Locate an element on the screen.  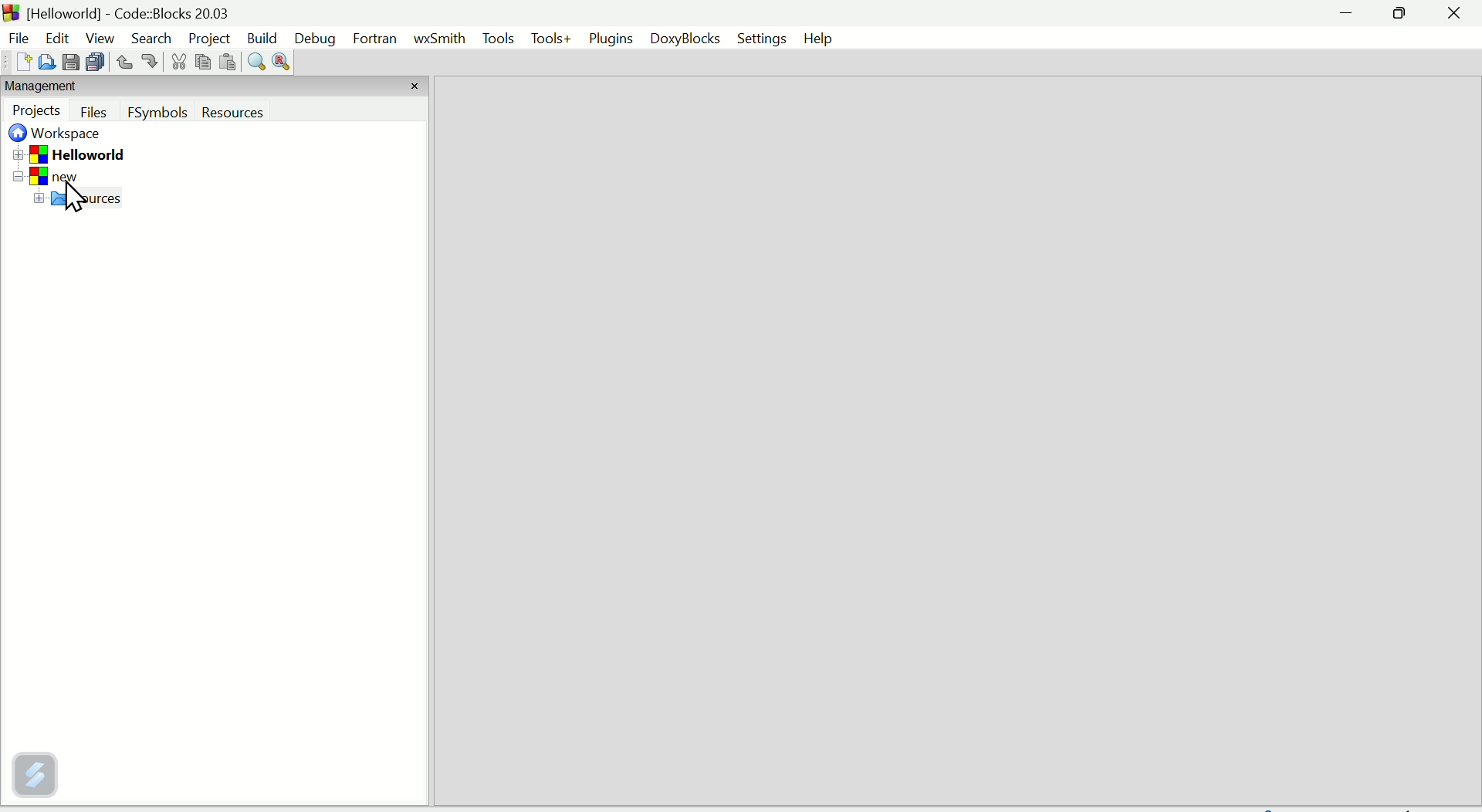
Projects is located at coordinates (38, 111).